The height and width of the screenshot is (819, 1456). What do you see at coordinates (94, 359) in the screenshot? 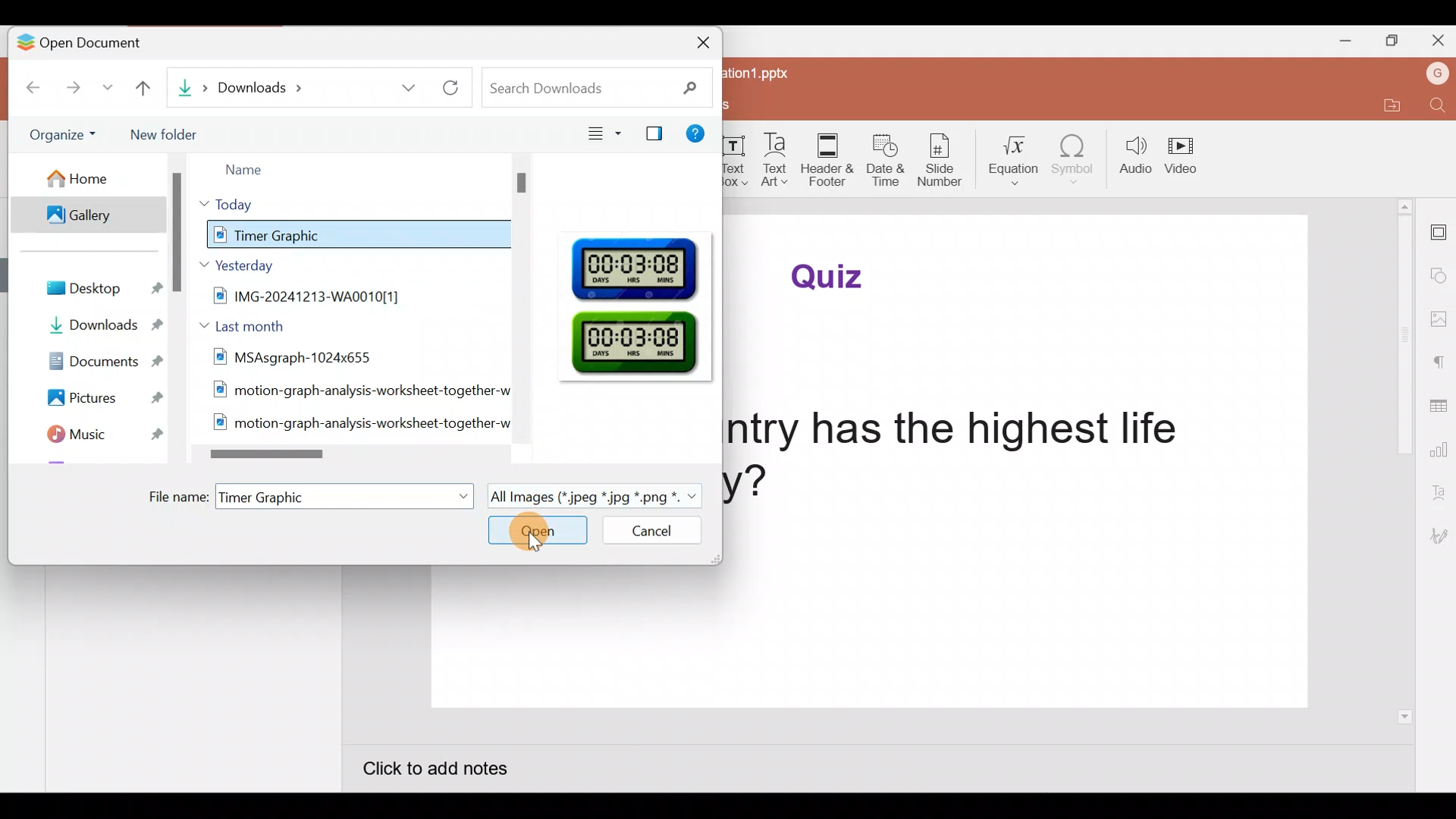
I see `Documents` at bounding box center [94, 359].